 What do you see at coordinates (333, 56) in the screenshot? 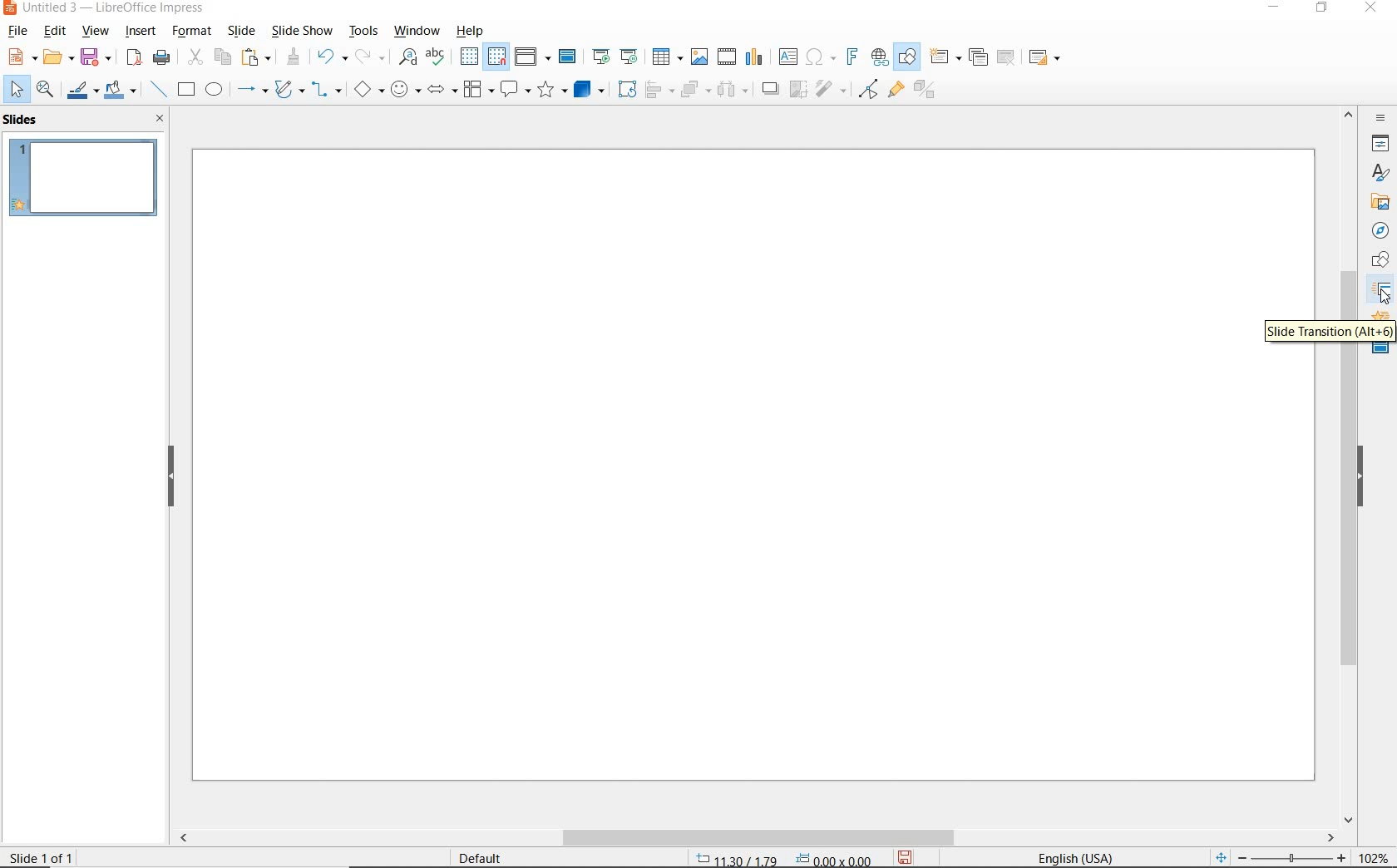
I see `UNDO` at bounding box center [333, 56].